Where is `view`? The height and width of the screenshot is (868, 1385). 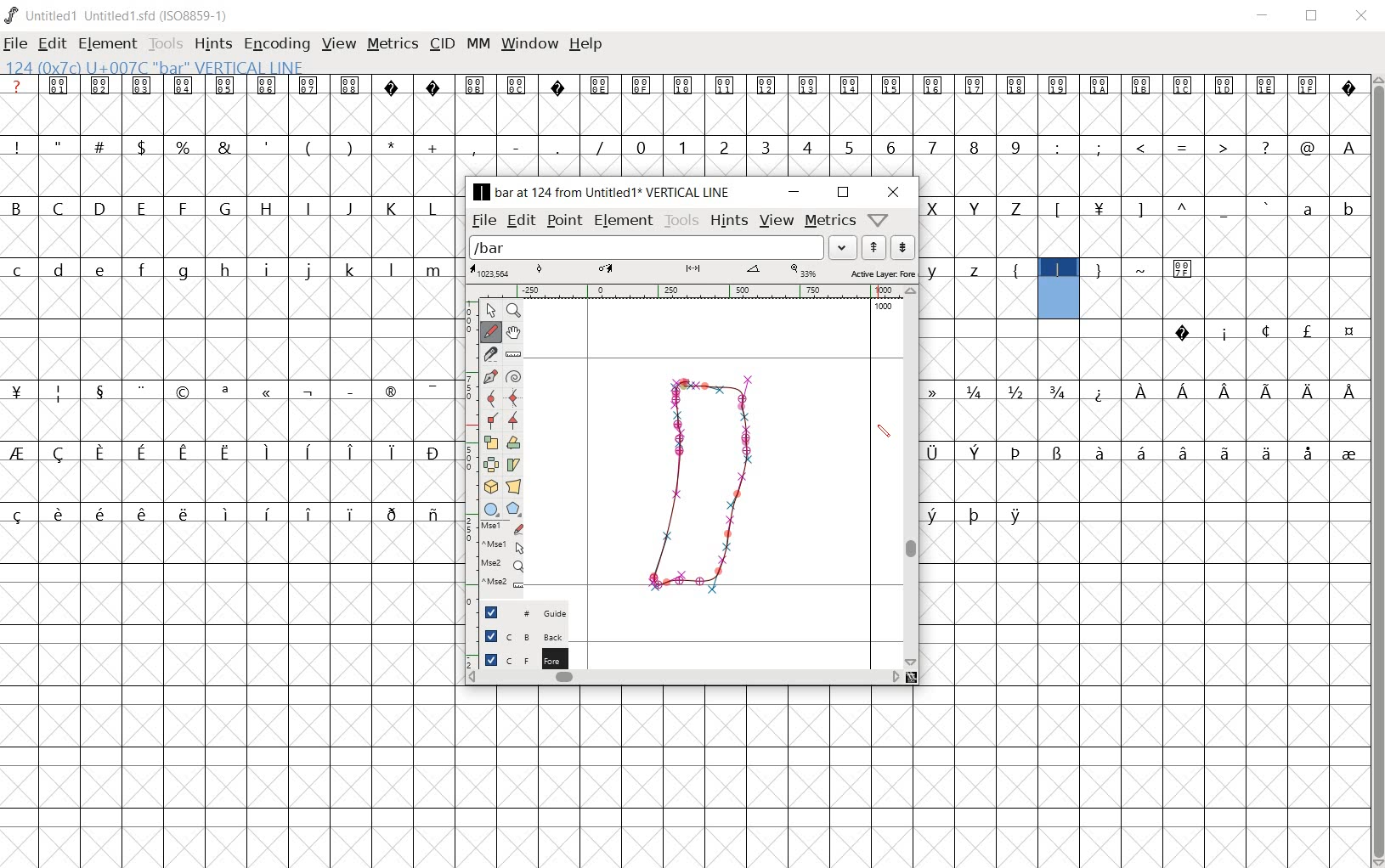 view is located at coordinates (339, 42).